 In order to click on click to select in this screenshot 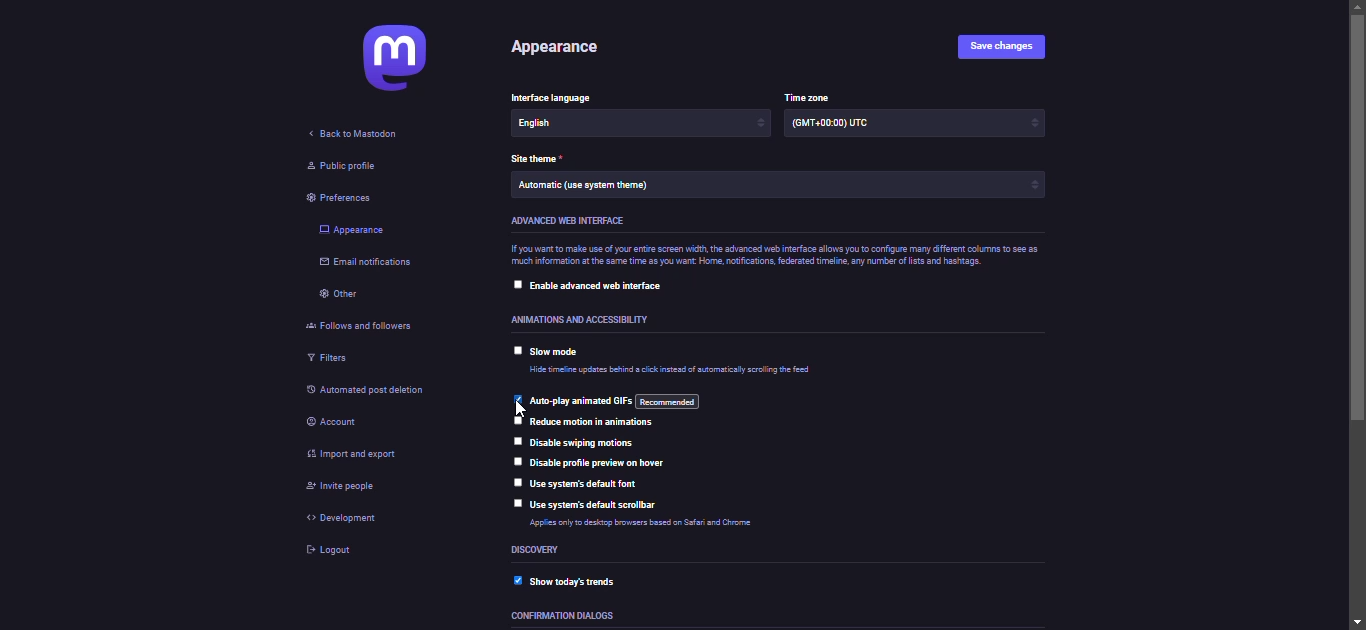, I will do `click(518, 419)`.